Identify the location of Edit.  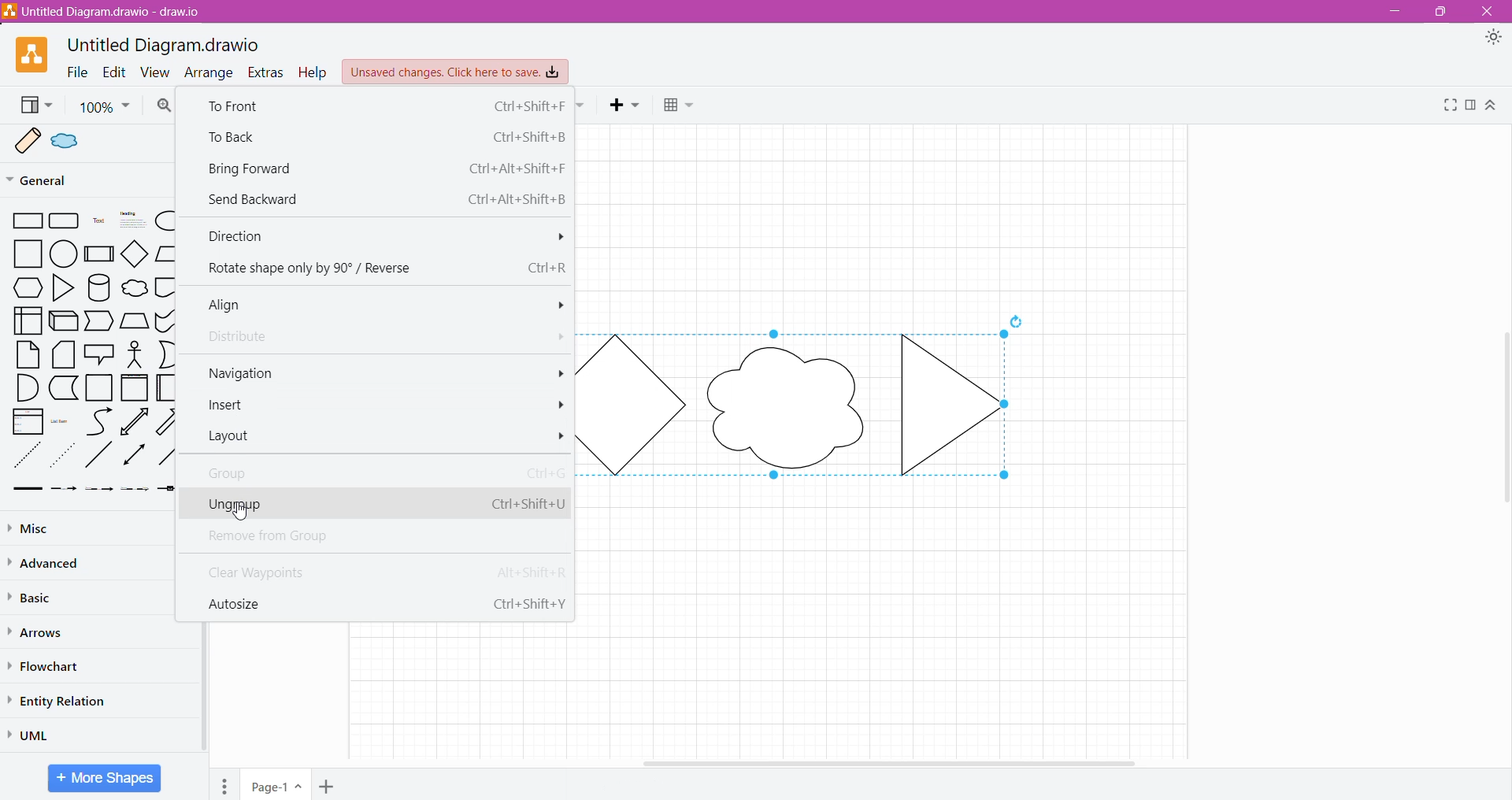
(114, 72).